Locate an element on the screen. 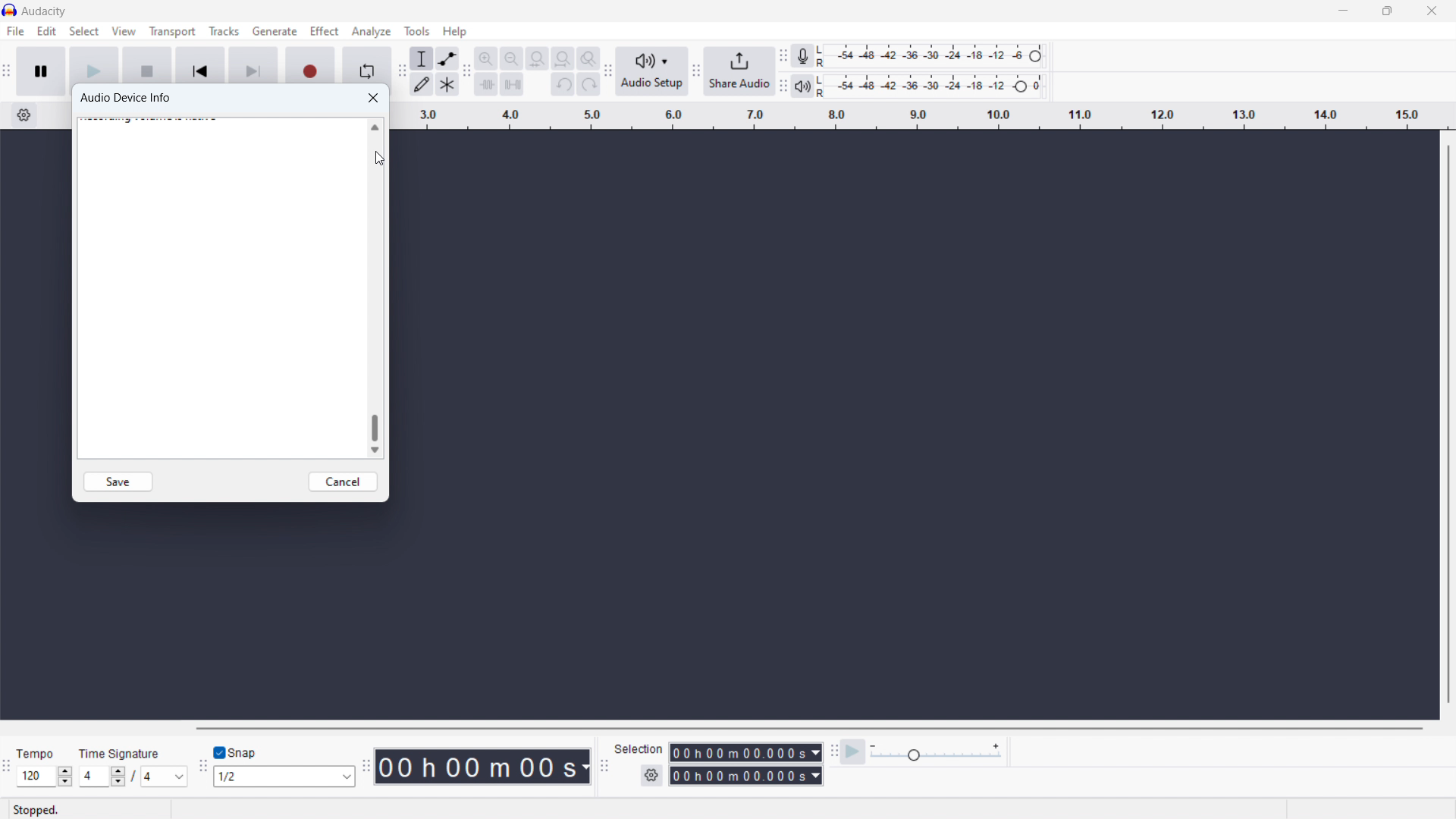 This screenshot has height=819, width=1456. snapping toolbar is located at coordinates (201, 765).